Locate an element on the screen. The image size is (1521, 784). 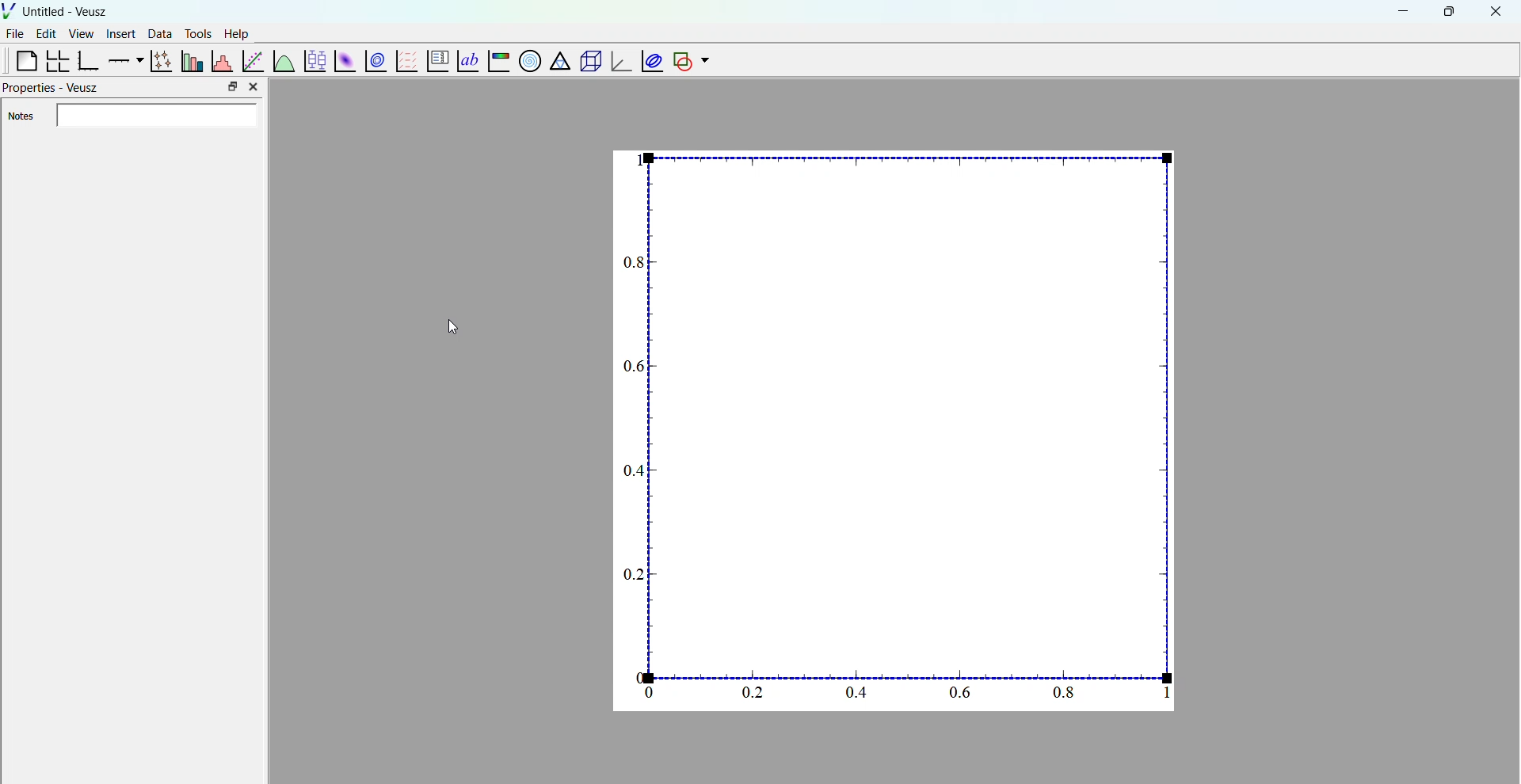
Untitled - Veusz is located at coordinates (67, 12).